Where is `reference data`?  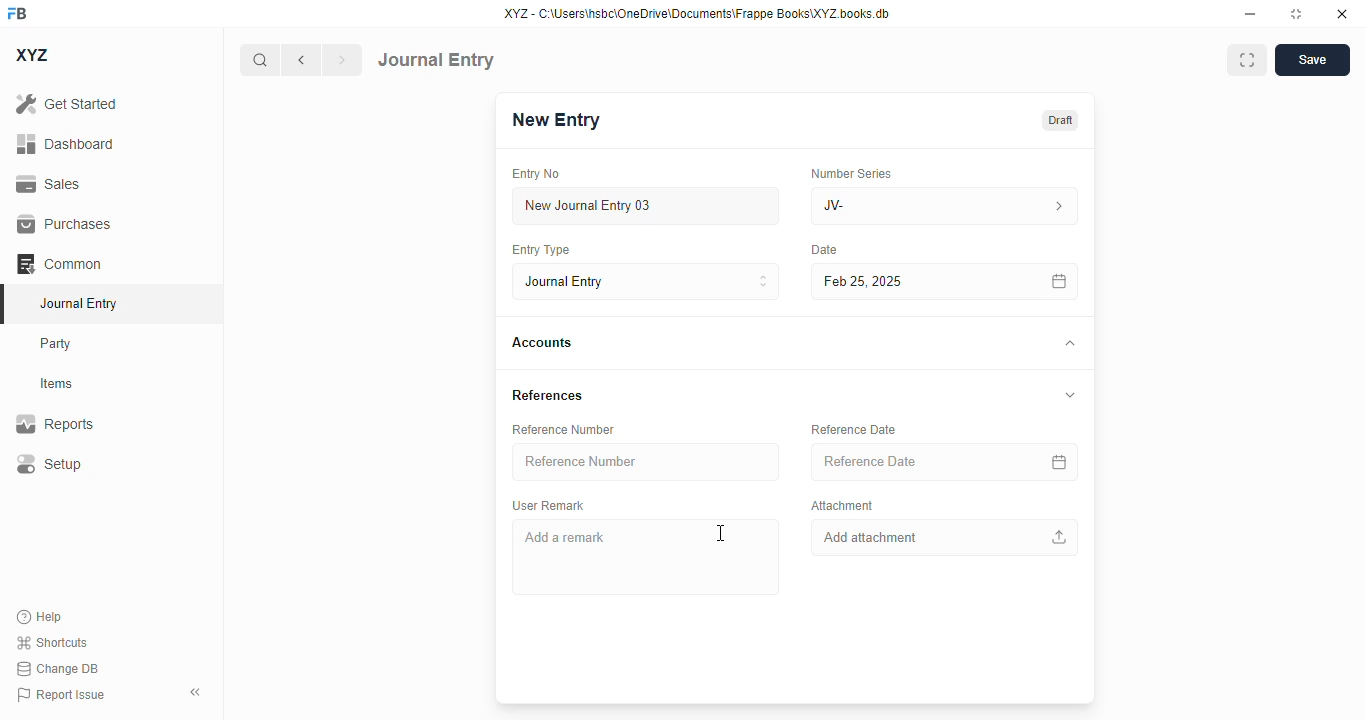
reference data is located at coordinates (854, 429).